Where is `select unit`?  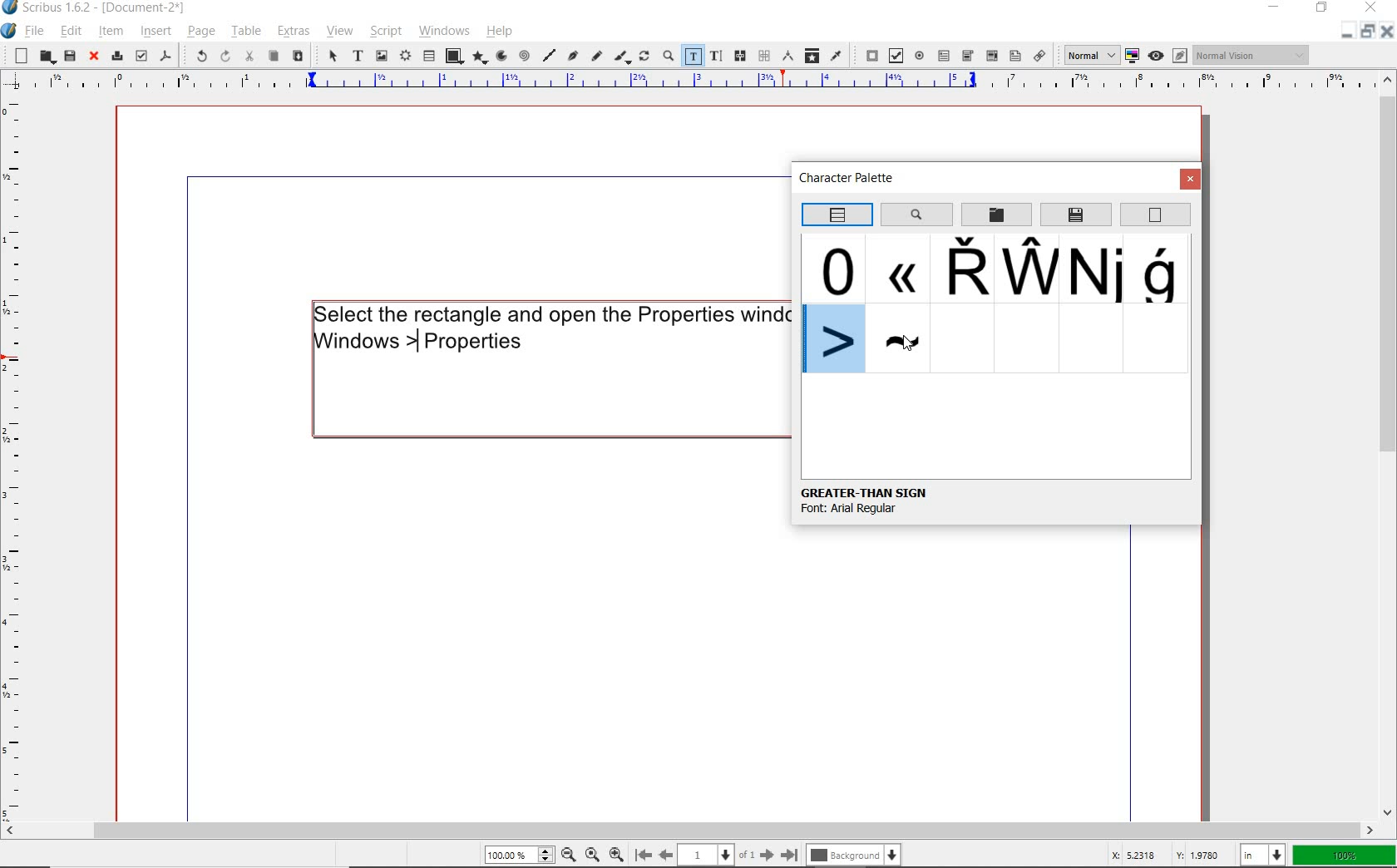 select unit is located at coordinates (1264, 855).